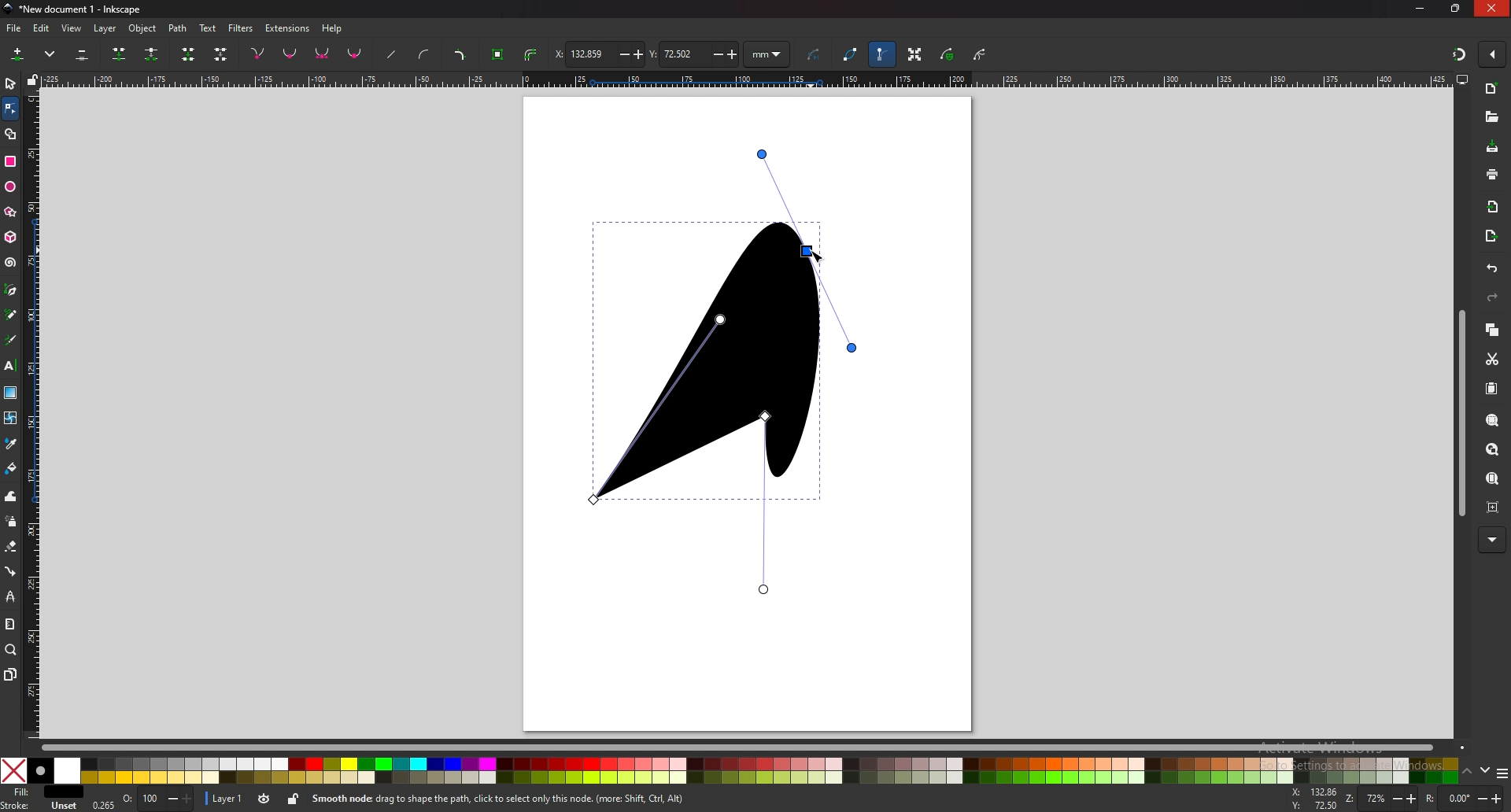 The width and height of the screenshot is (1511, 812). What do you see at coordinates (1492, 269) in the screenshot?
I see `undo` at bounding box center [1492, 269].